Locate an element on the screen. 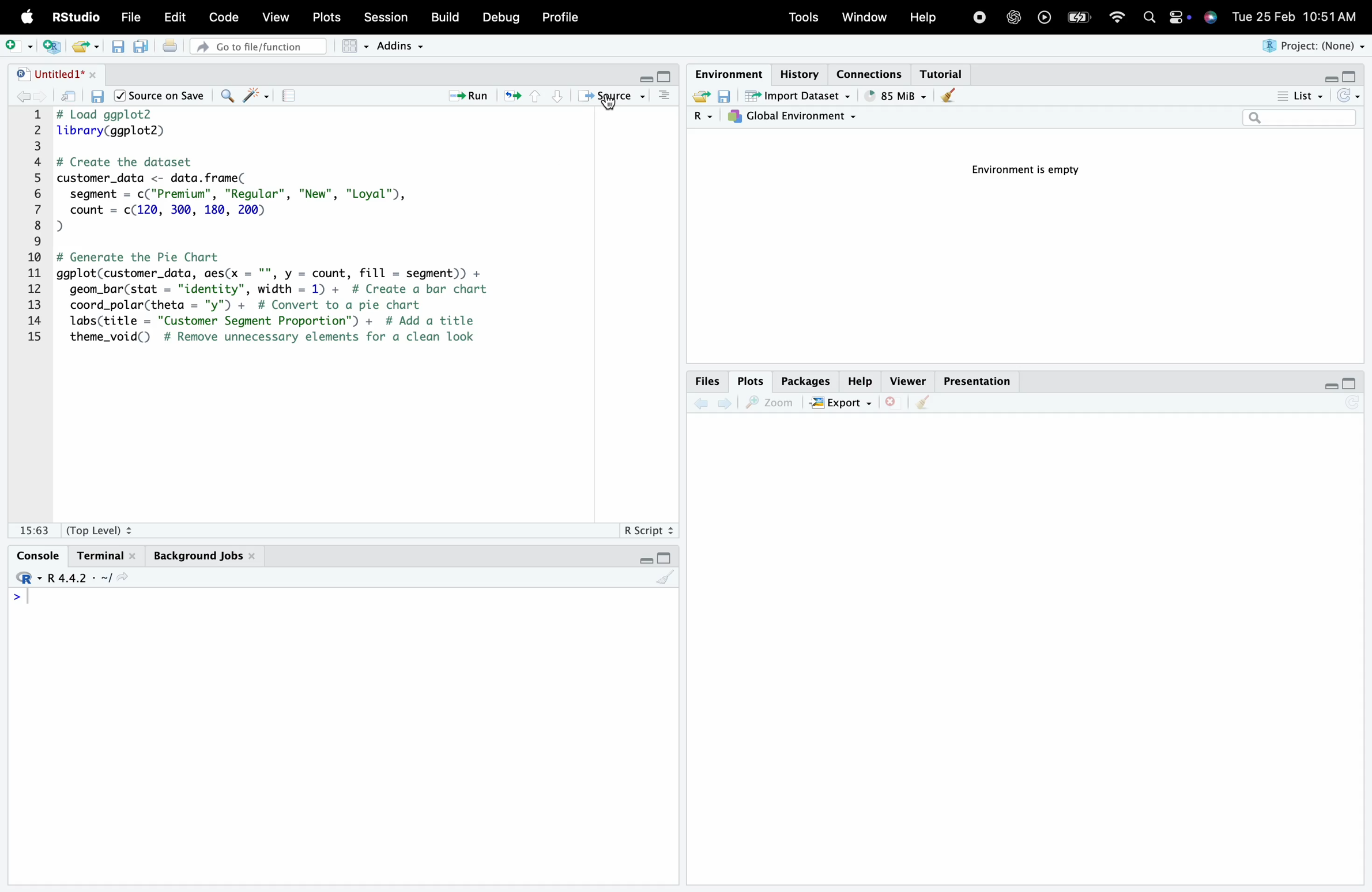  Packages is located at coordinates (801, 379).